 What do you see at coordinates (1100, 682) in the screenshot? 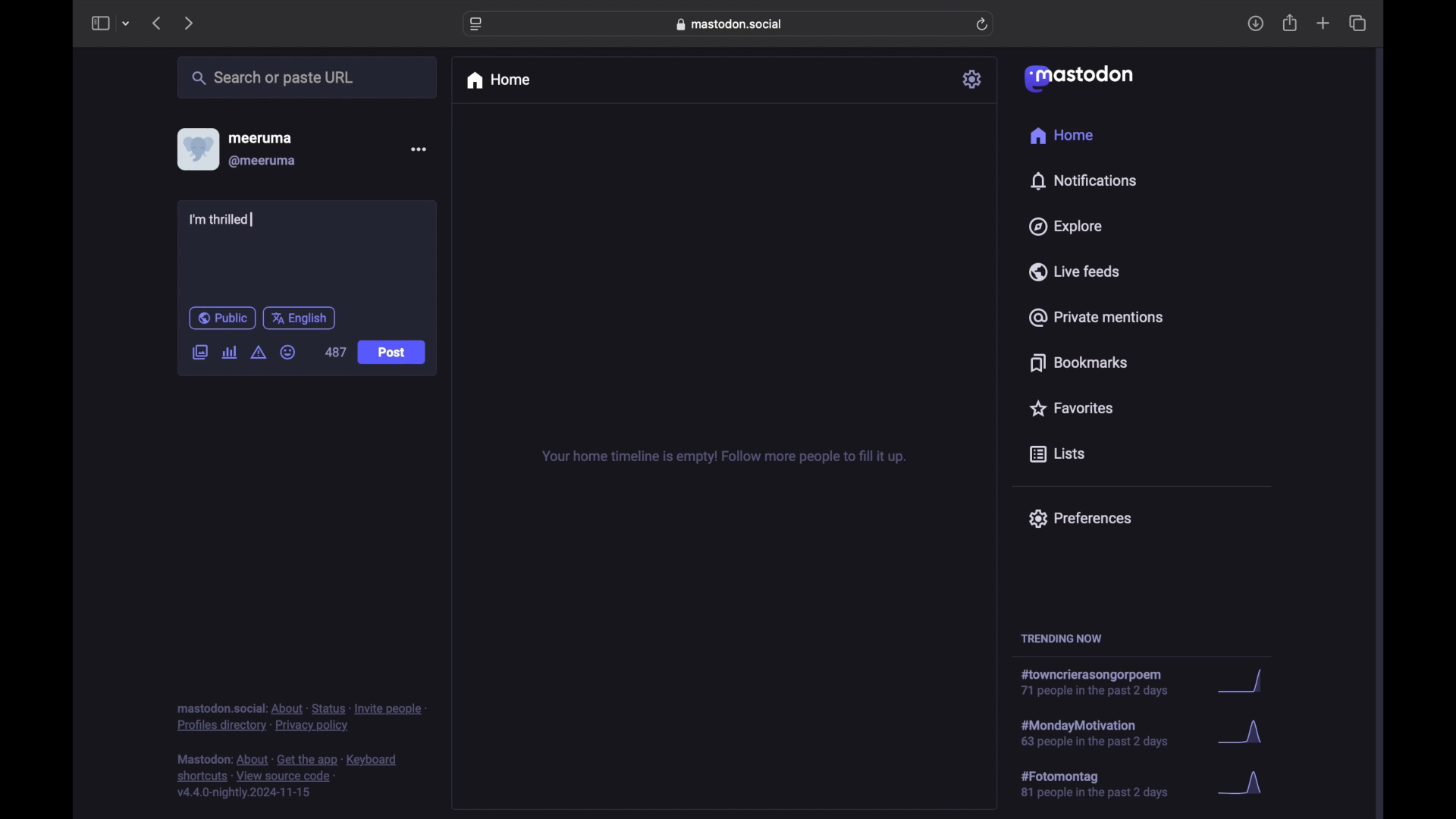
I see `hashtag trend` at bounding box center [1100, 682].